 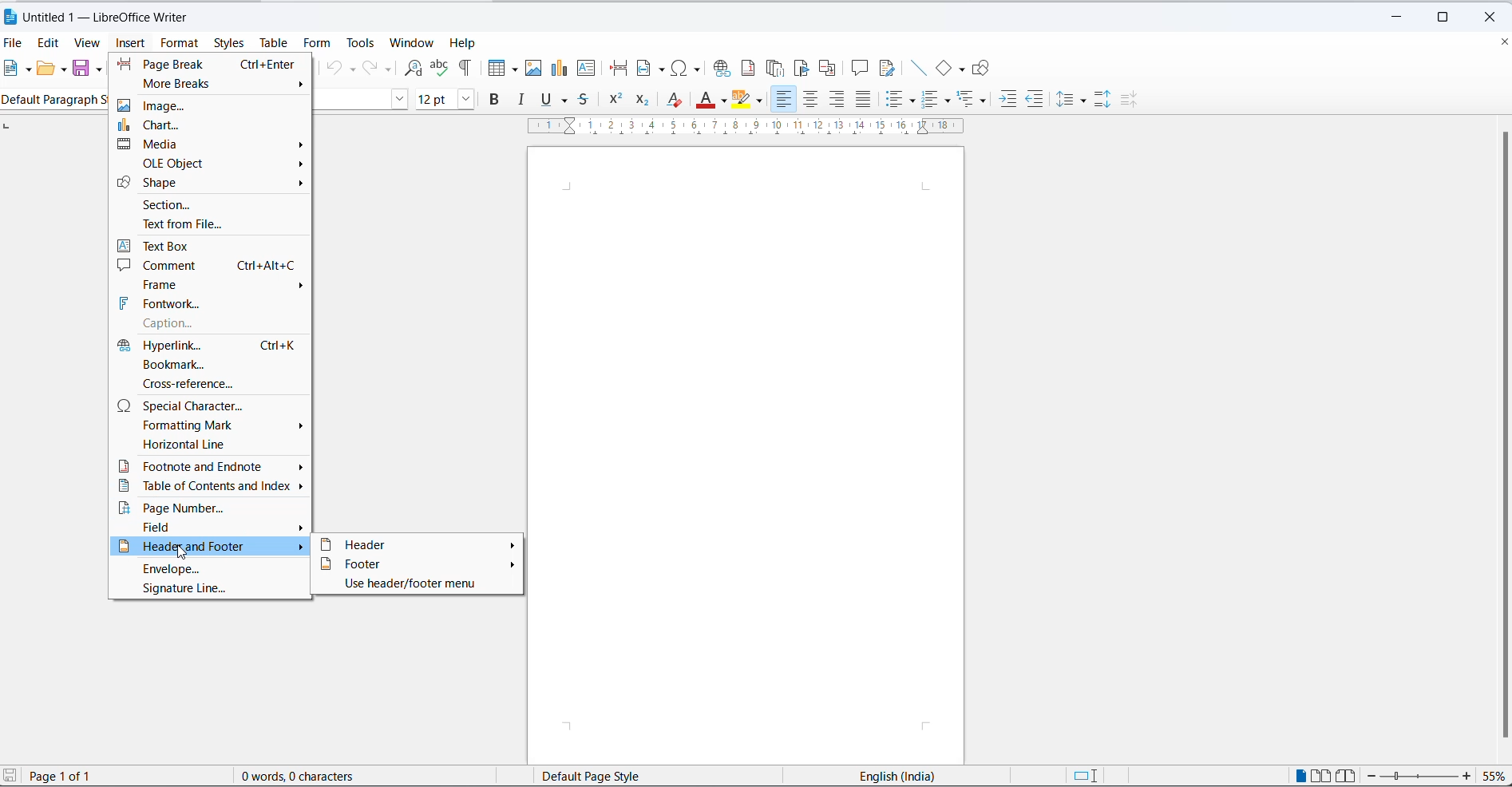 I want to click on hyperlink, so click(x=212, y=343).